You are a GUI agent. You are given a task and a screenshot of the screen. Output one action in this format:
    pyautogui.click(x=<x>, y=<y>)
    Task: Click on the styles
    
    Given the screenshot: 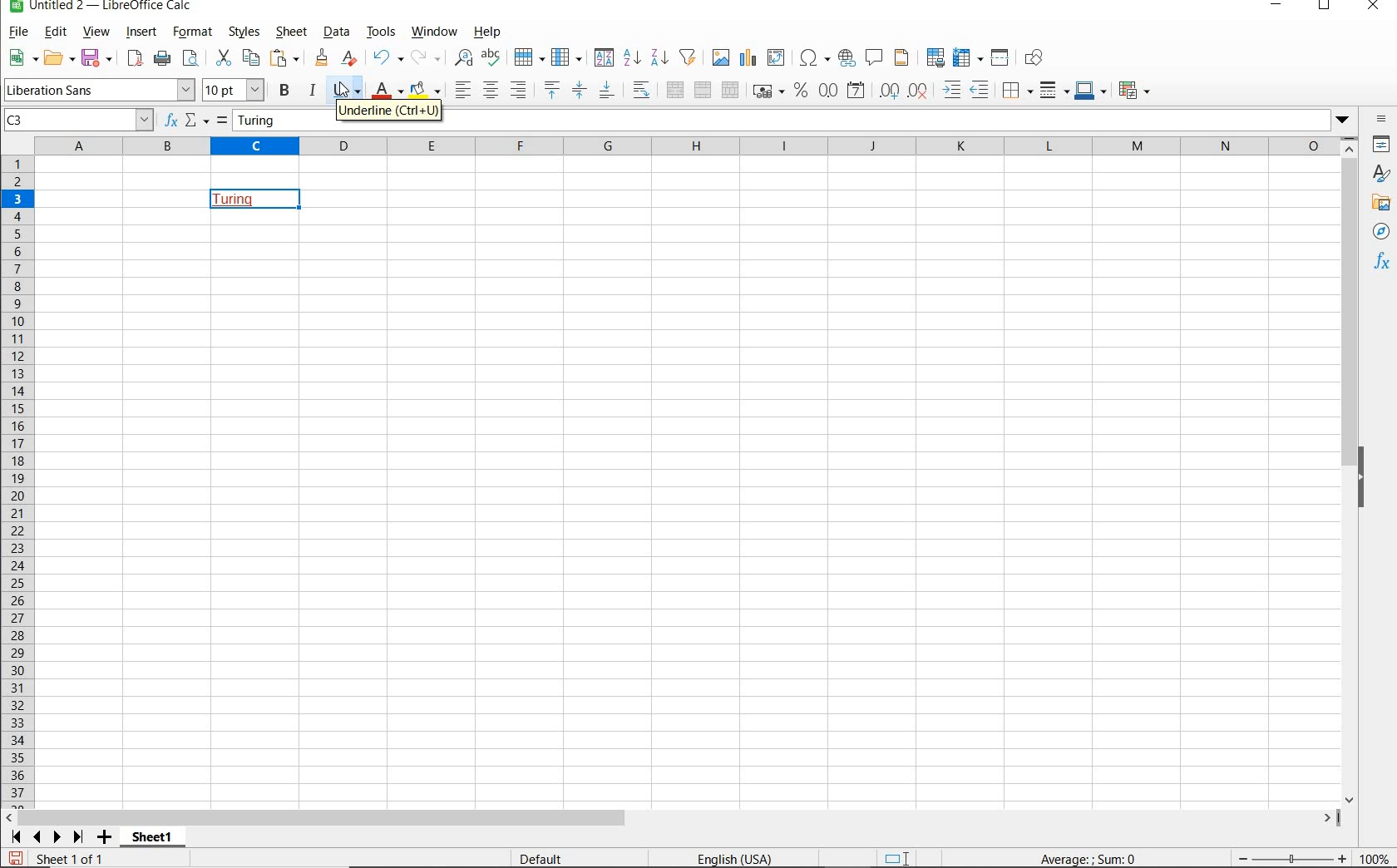 What is the action you would take?
    pyautogui.click(x=1381, y=175)
    